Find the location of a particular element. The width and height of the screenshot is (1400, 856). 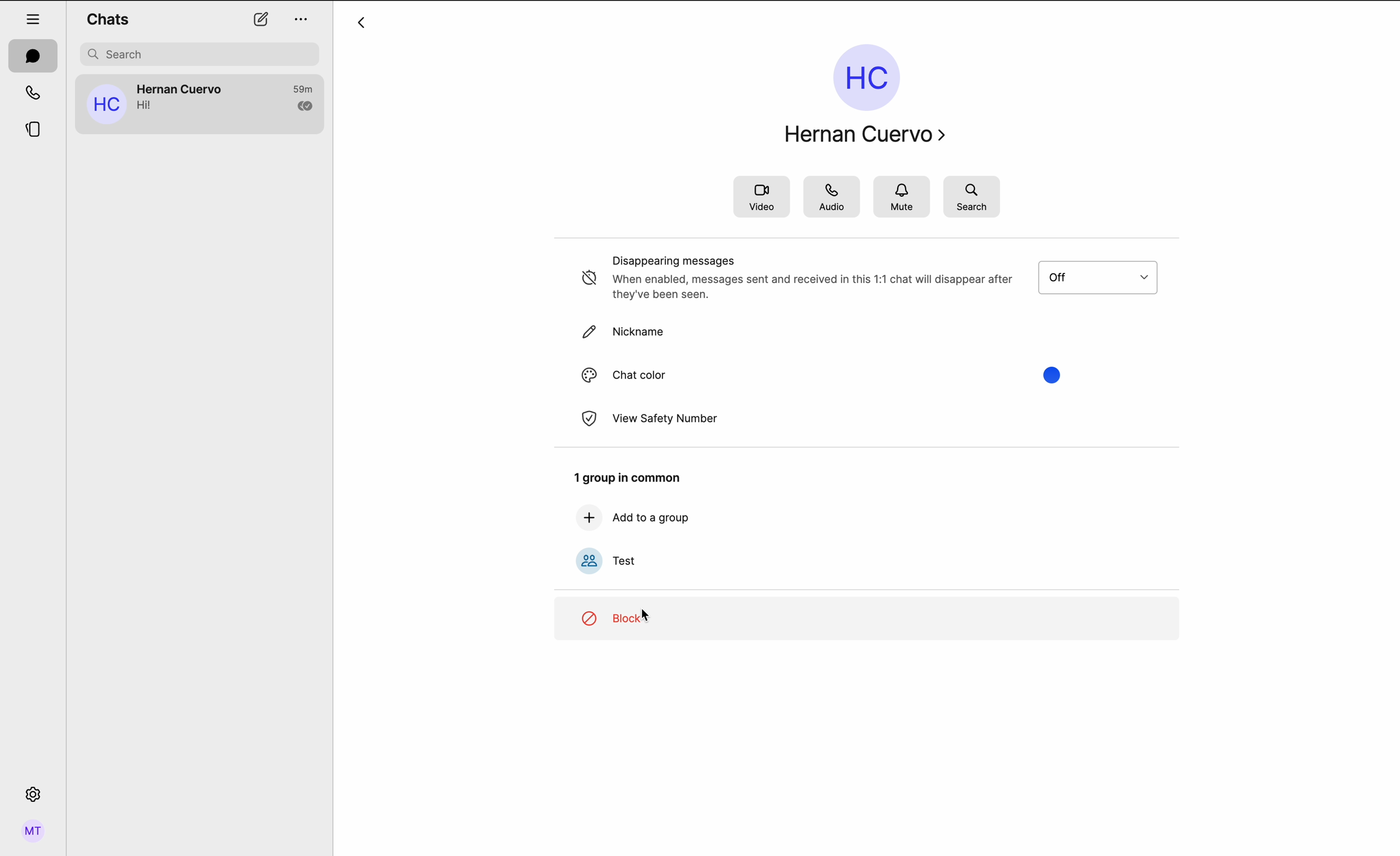

Hernan Cuervo's chat is located at coordinates (198, 101).